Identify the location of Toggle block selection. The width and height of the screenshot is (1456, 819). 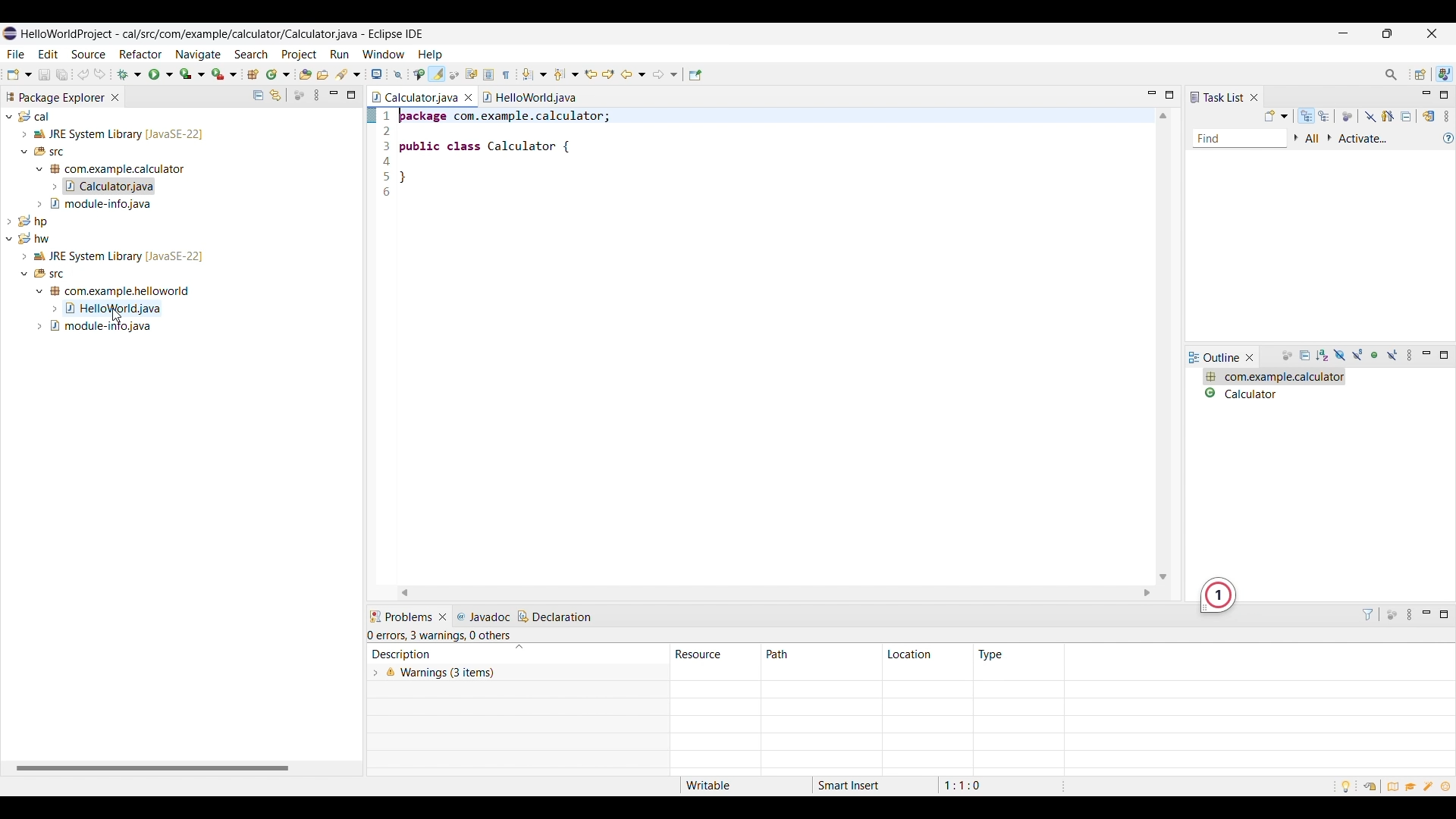
(490, 74).